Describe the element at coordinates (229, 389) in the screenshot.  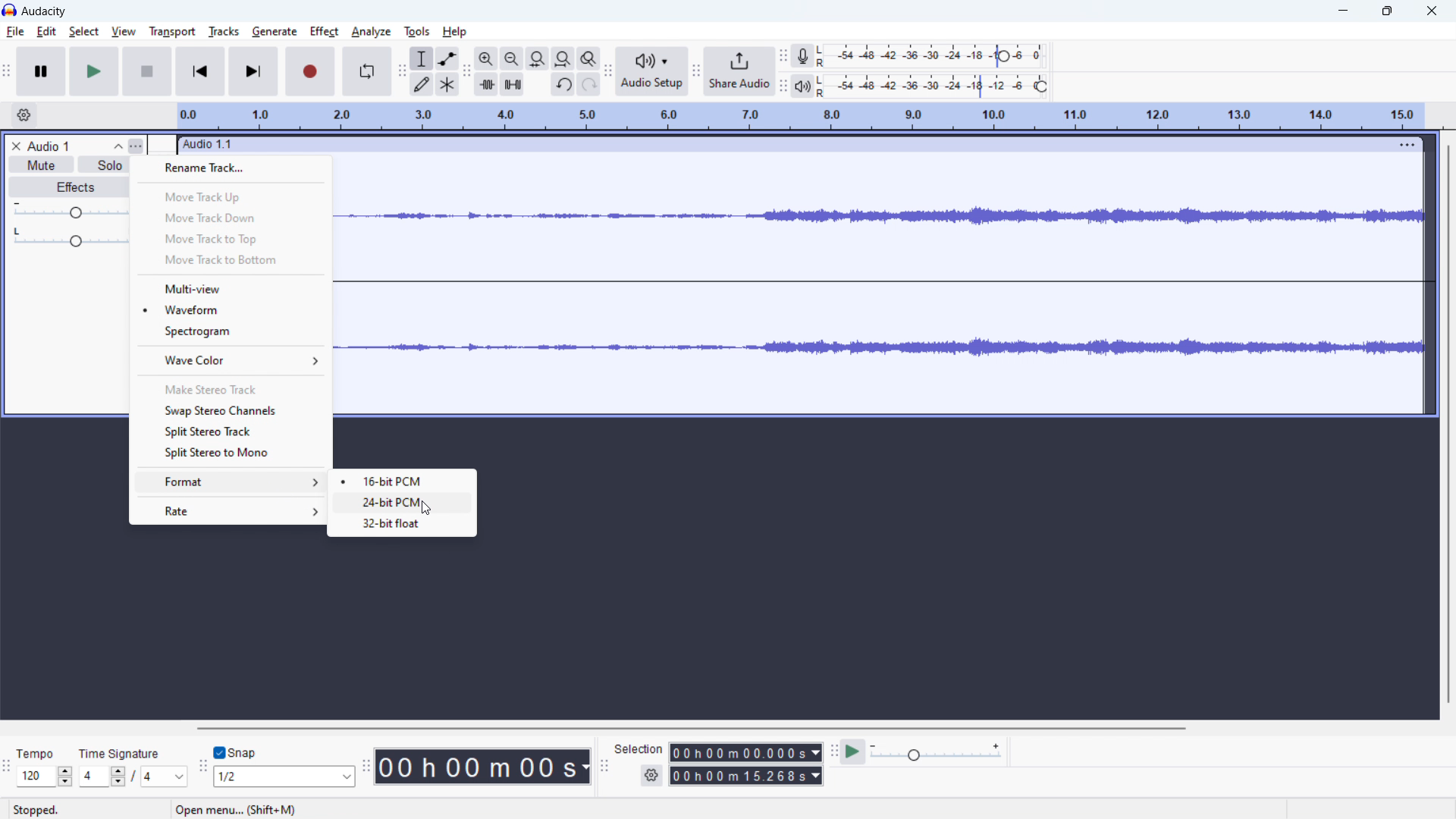
I see `make stereo track` at that location.